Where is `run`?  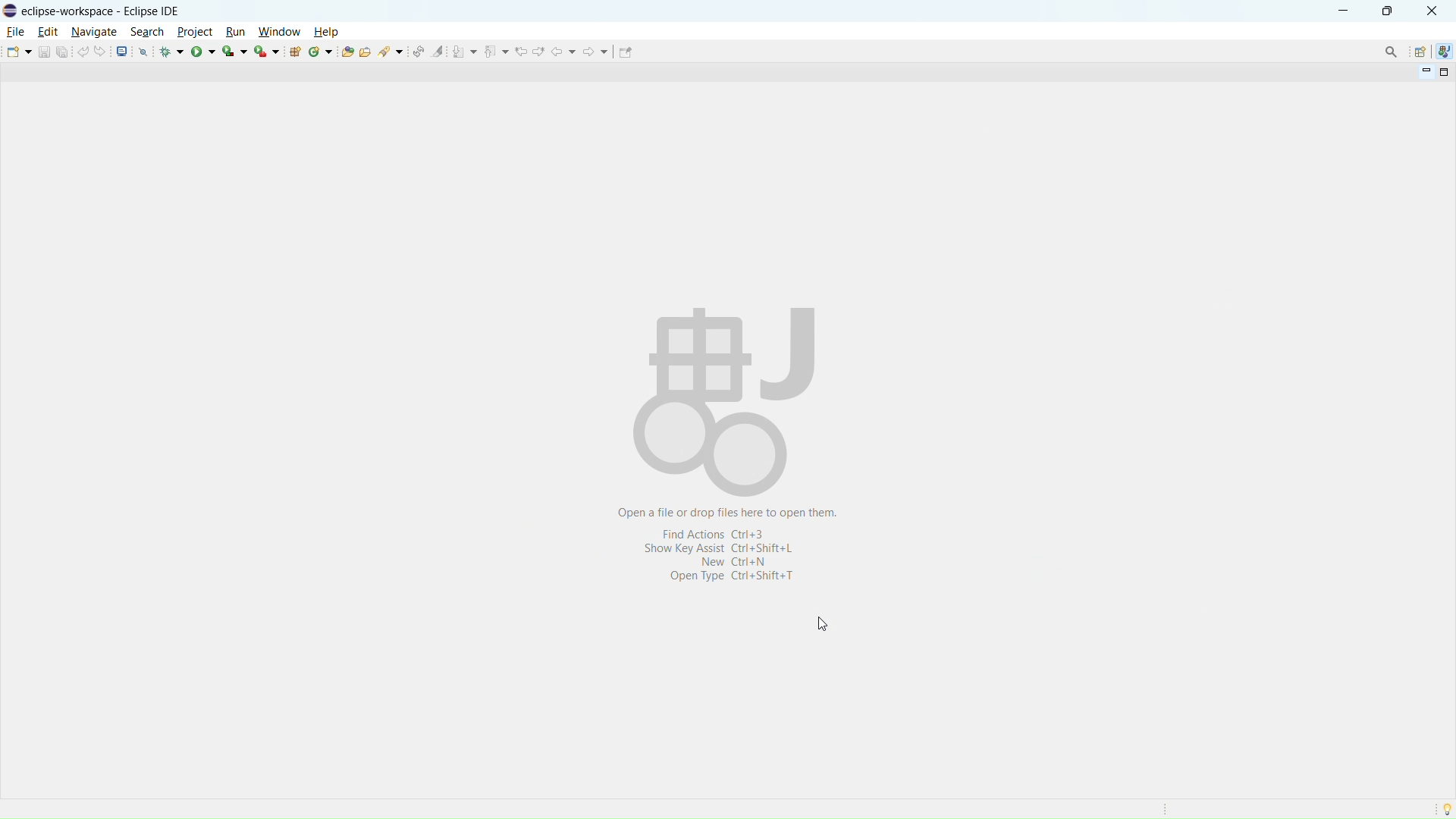 run is located at coordinates (203, 52).